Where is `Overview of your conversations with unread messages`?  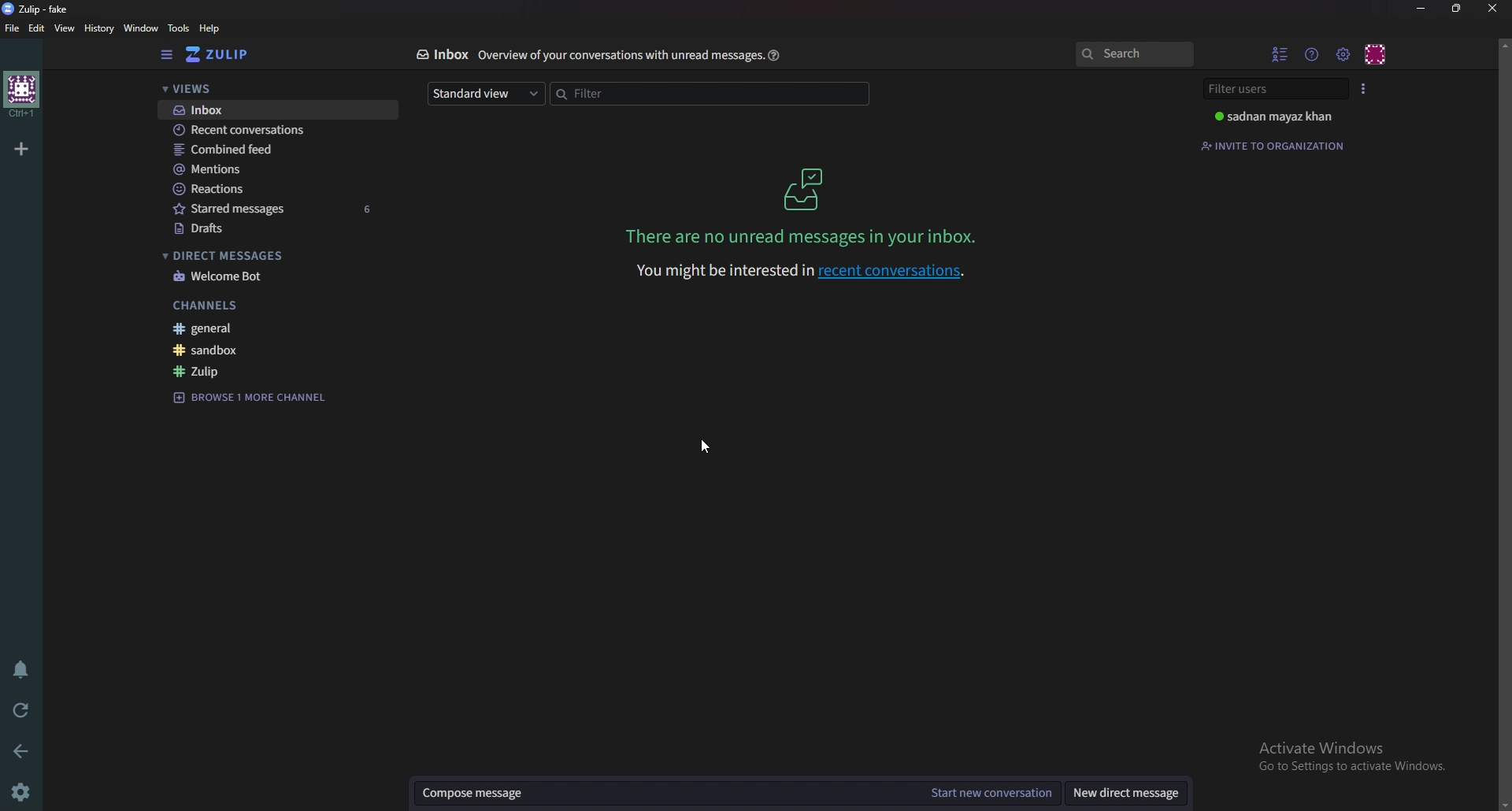
Overview of your conversations with unread messages is located at coordinates (618, 54).